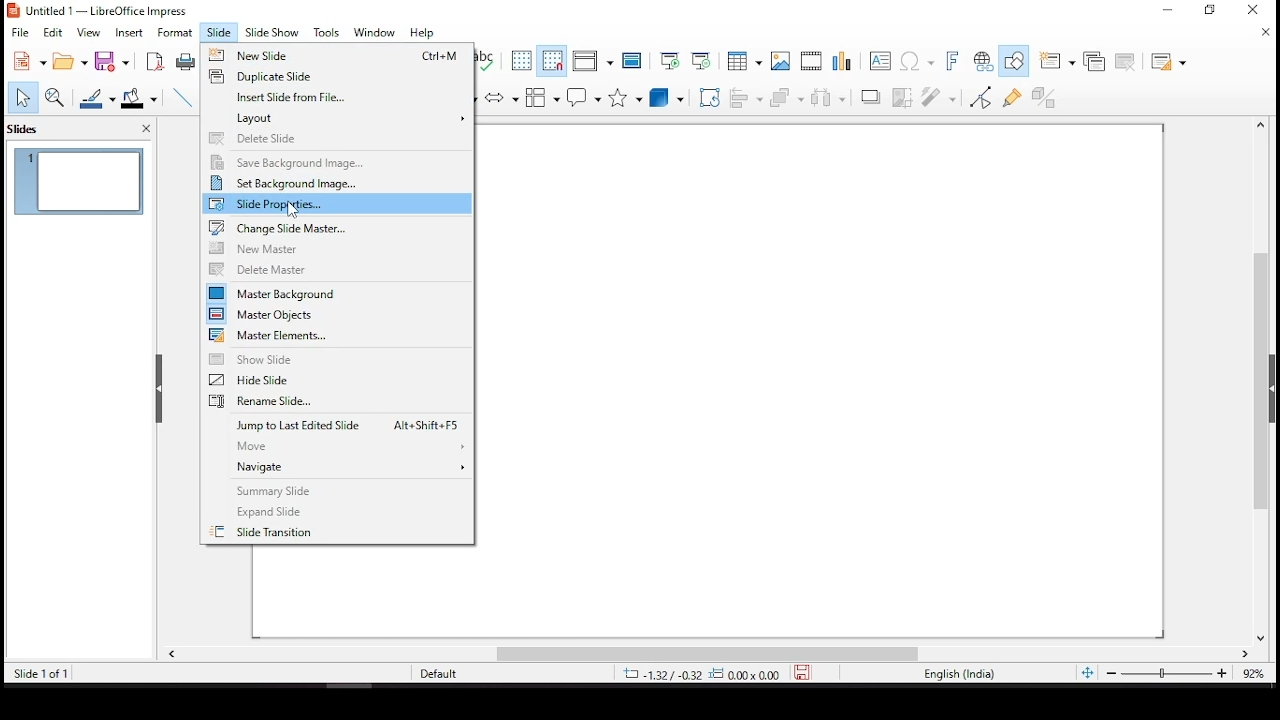 The height and width of the screenshot is (720, 1280). Describe the element at coordinates (940, 96) in the screenshot. I see `filter` at that location.